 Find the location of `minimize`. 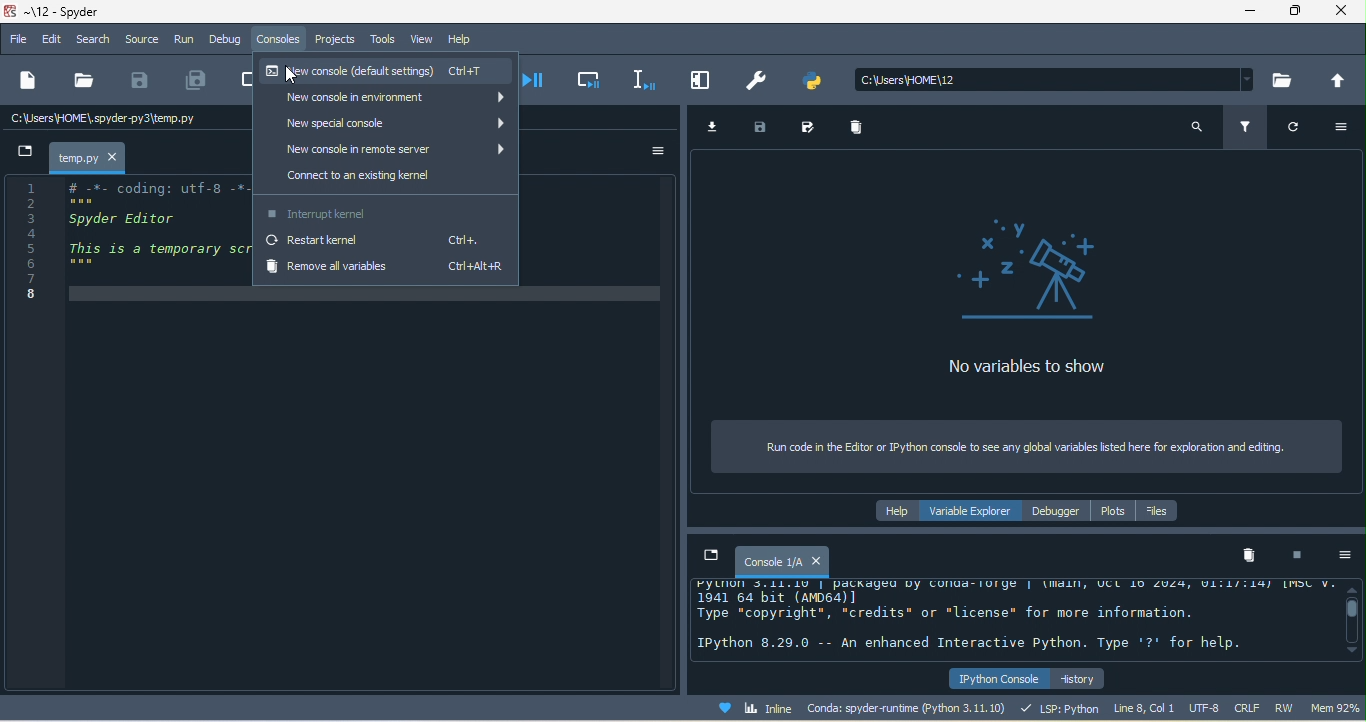

minimize is located at coordinates (1251, 12).